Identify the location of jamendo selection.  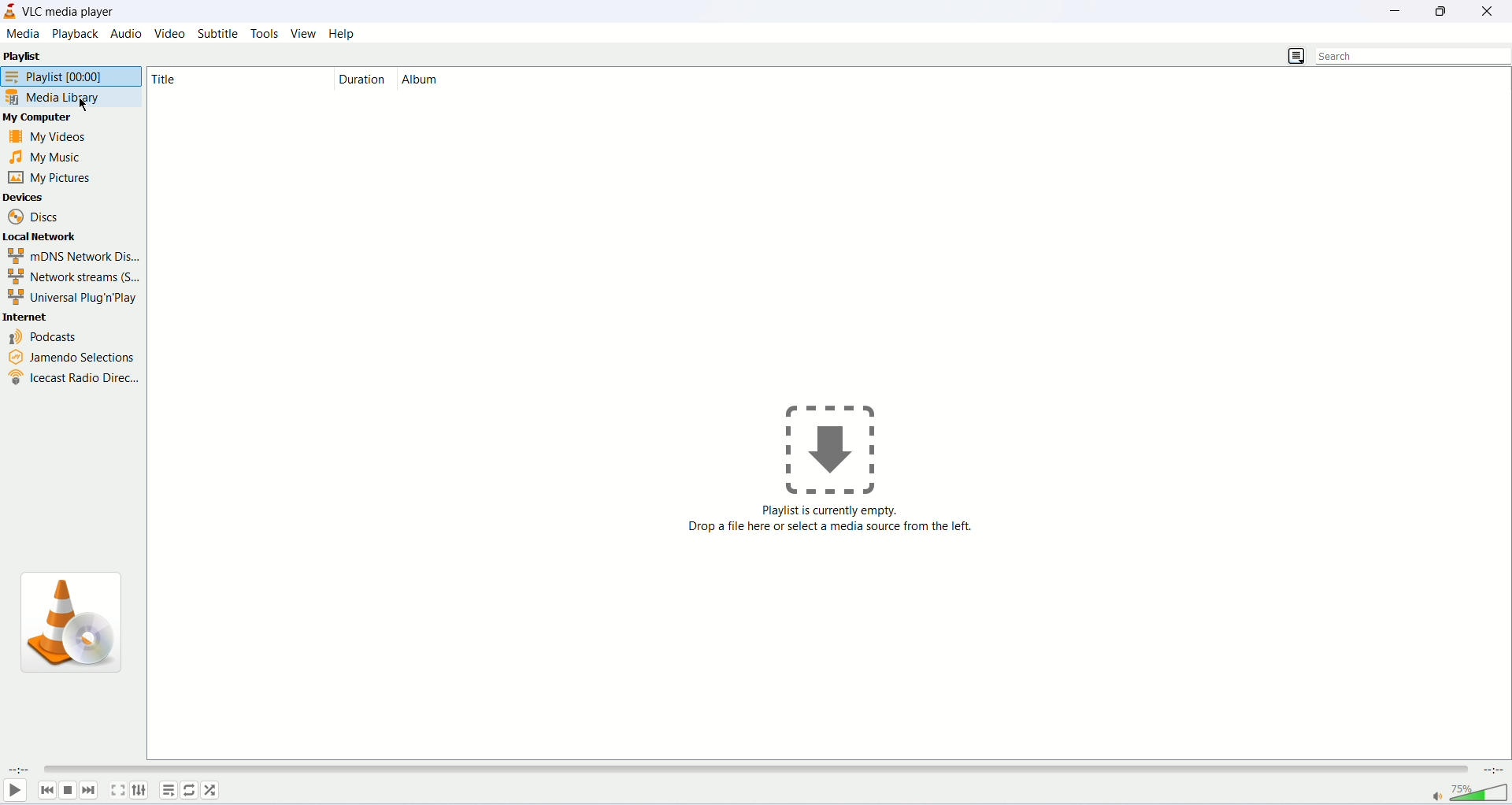
(72, 357).